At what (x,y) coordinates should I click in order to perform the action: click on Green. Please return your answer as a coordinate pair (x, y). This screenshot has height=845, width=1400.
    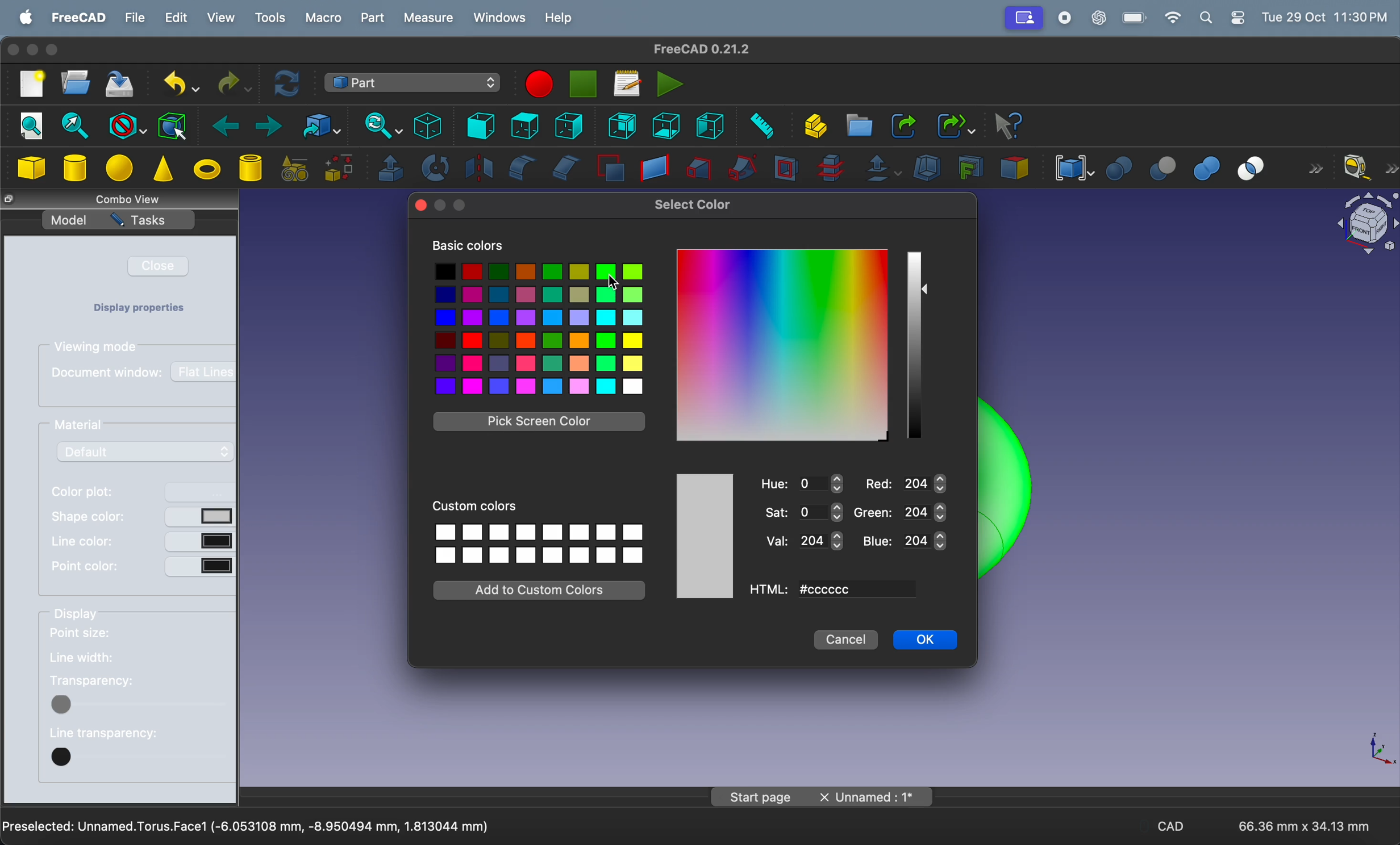
    Looking at the image, I should click on (901, 512).